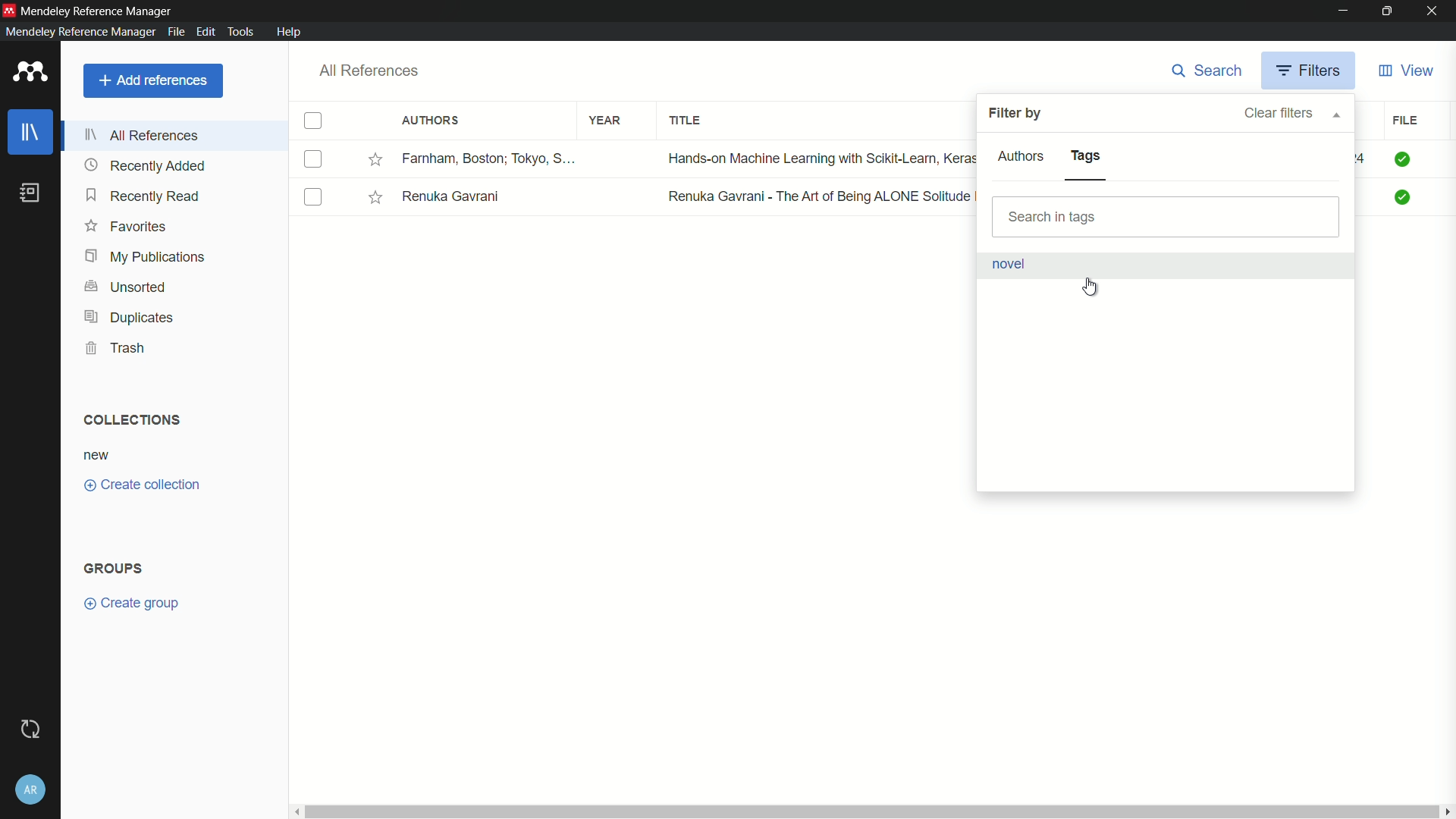  I want to click on all references, so click(142, 135).